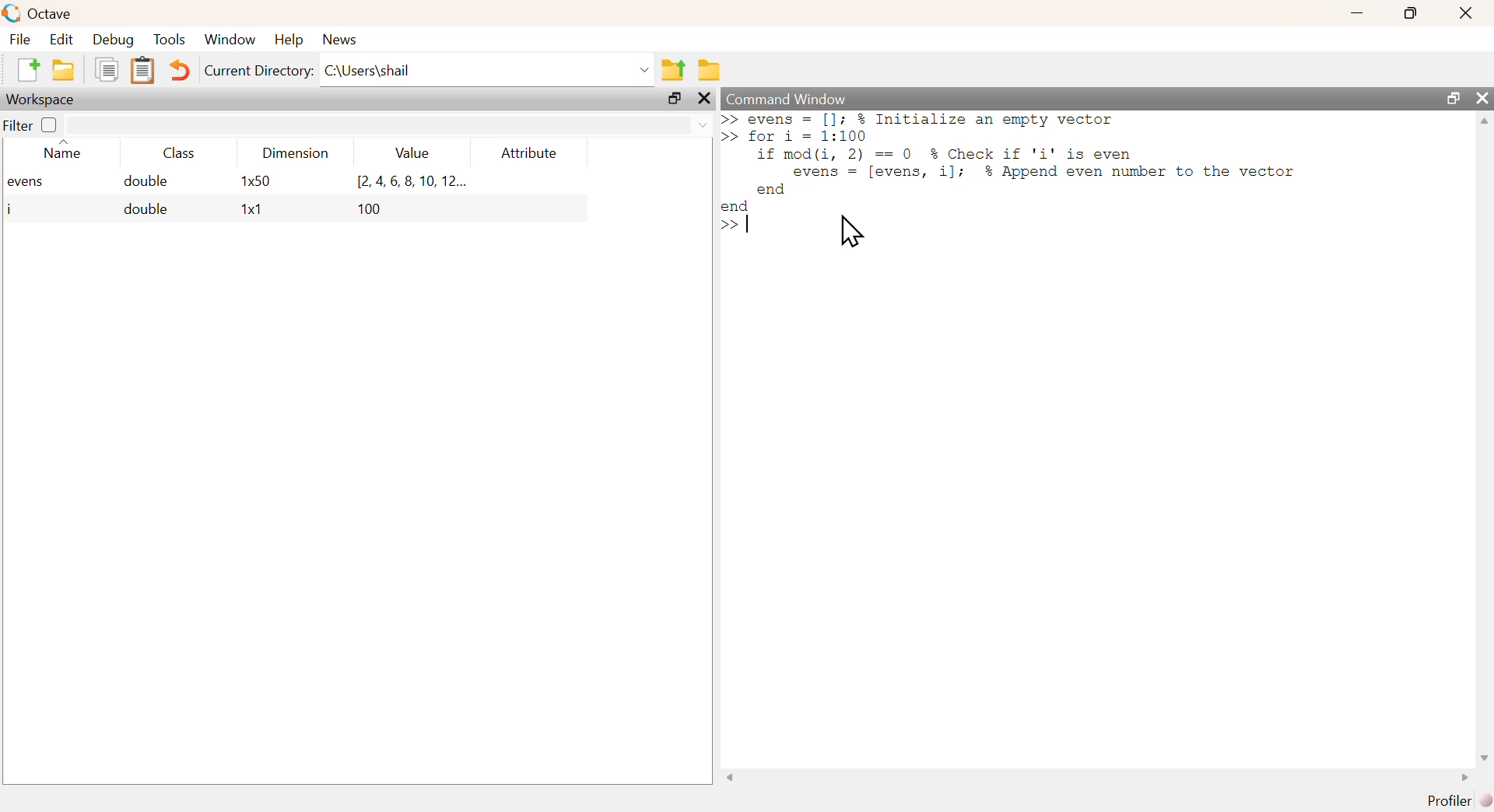 This screenshot has width=1494, height=812. Describe the element at coordinates (751, 225) in the screenshot. I see `text cursor` at that location.